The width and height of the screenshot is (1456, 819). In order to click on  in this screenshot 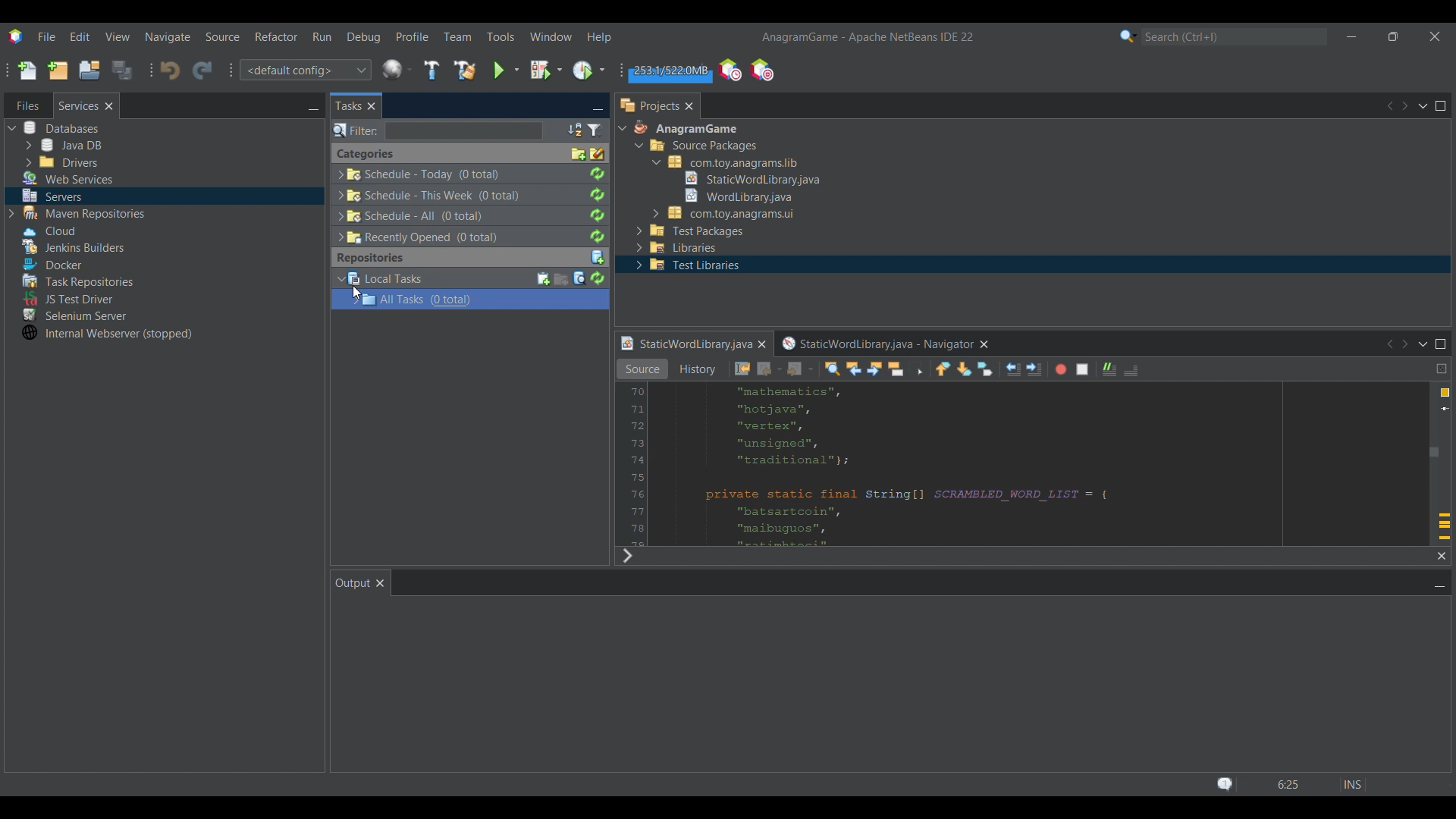, I will do `click(739, 161)`.